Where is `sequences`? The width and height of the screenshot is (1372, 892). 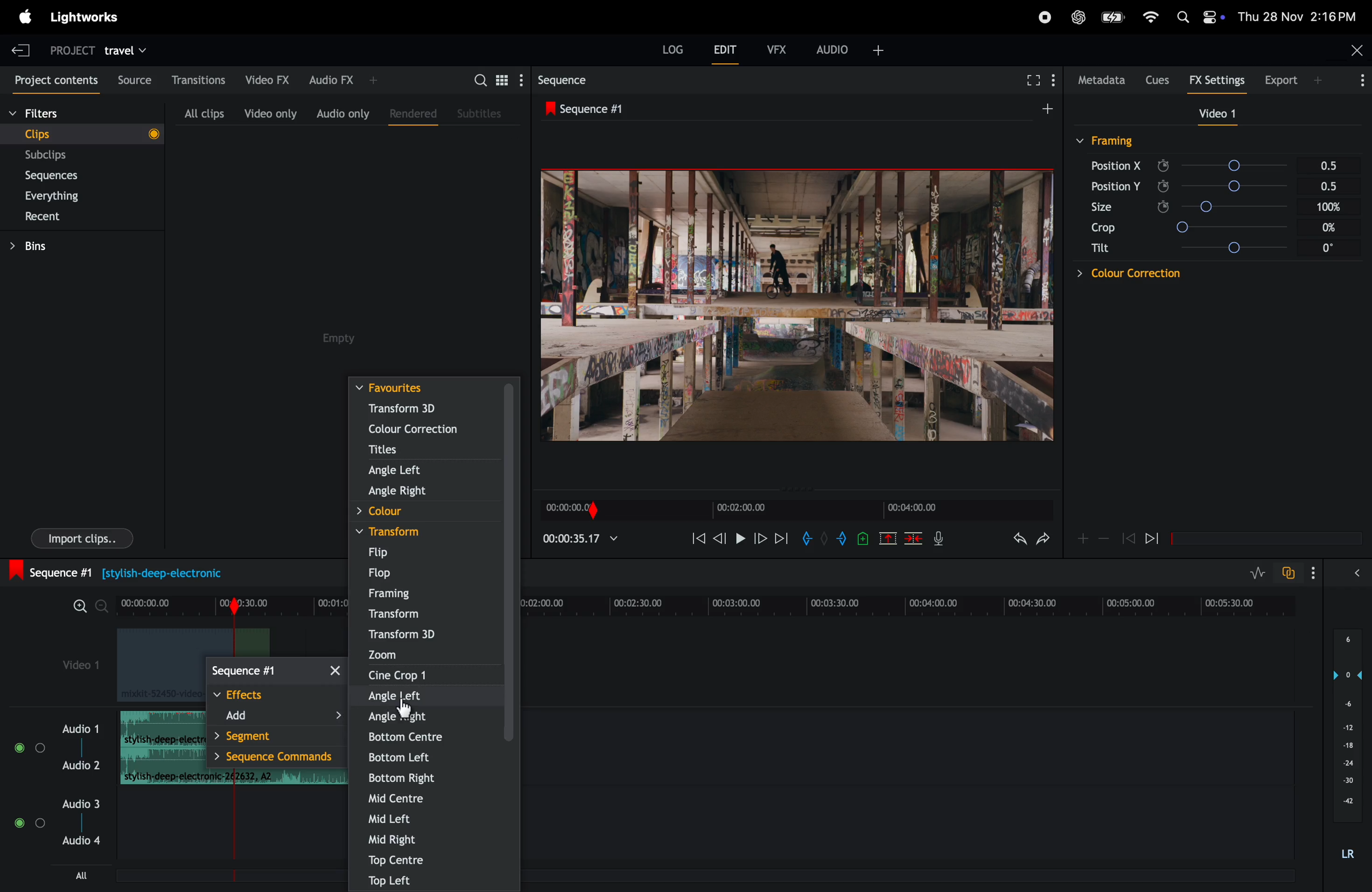
sequences is located at coordinates (61, 176).